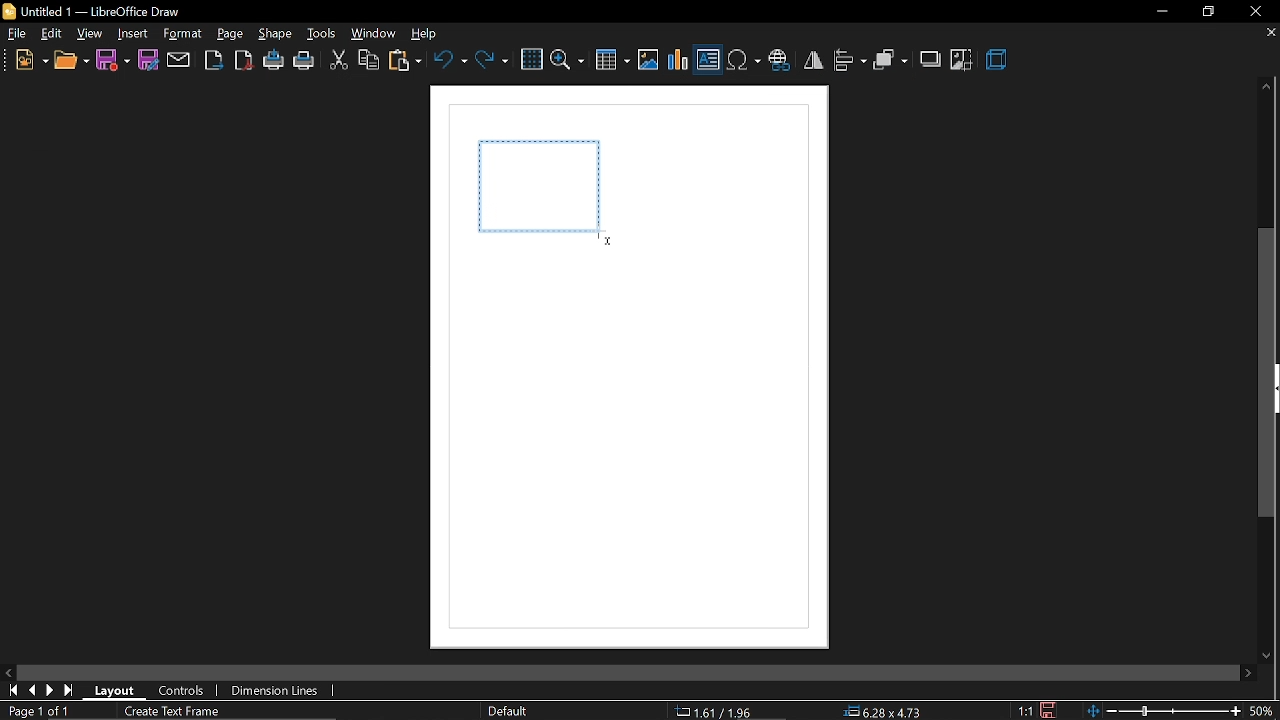  Describe the element at coordinates (1248, 672) in the screenshot. I see `move right` at that location.